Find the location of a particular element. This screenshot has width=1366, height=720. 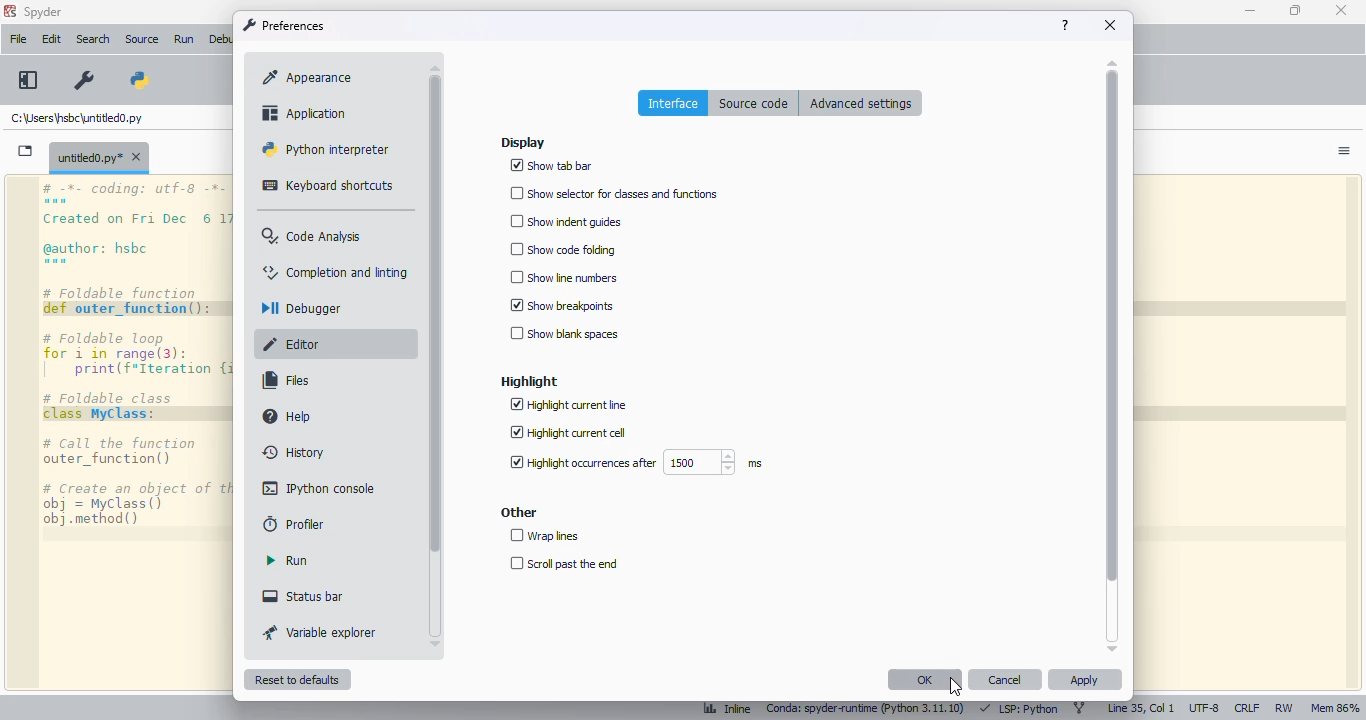

vertical scroll bar is located at coordinates (1112, 326).